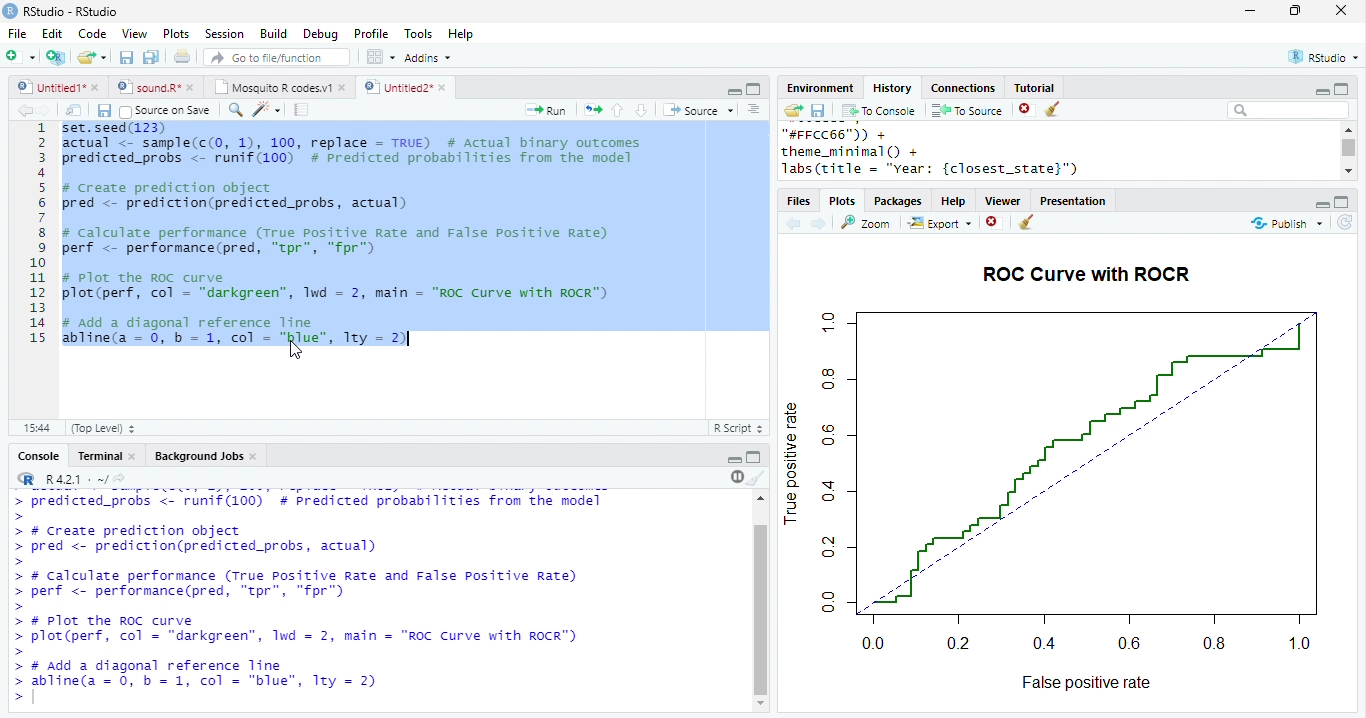 Image resolution: width=1366 pixels, height=718 pixels. What do you see at coordinates (866, 223) in the screenshot?
I see `Zoom` at bounding box center [866, 223].